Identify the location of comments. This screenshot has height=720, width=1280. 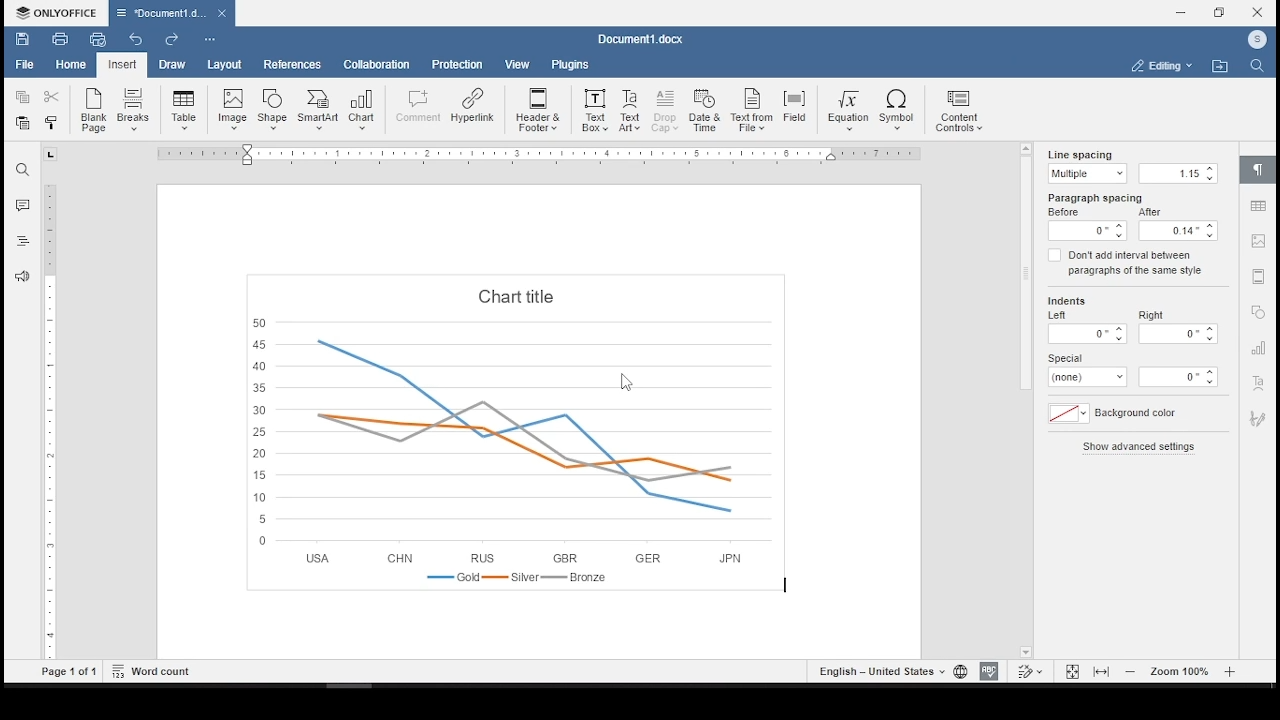
(22, 206).